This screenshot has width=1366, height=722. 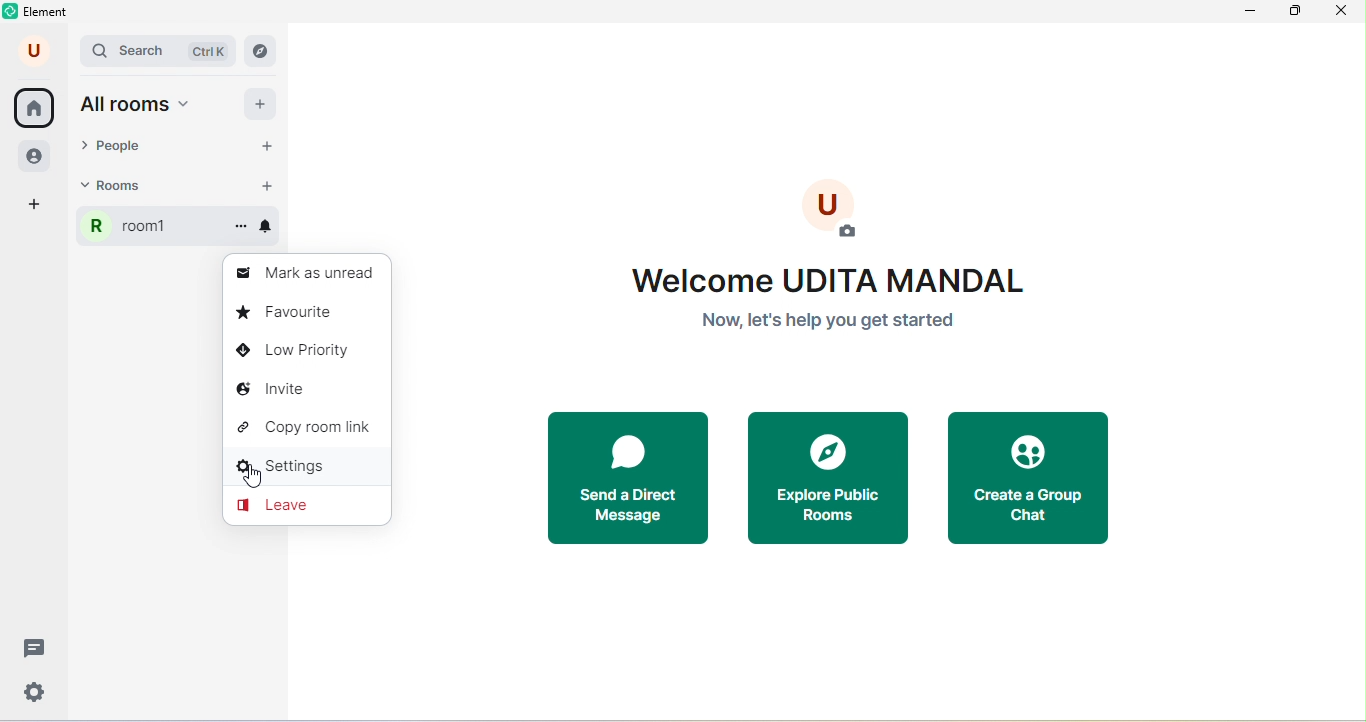 I want to click on start chat, so click(x=257, y=148).